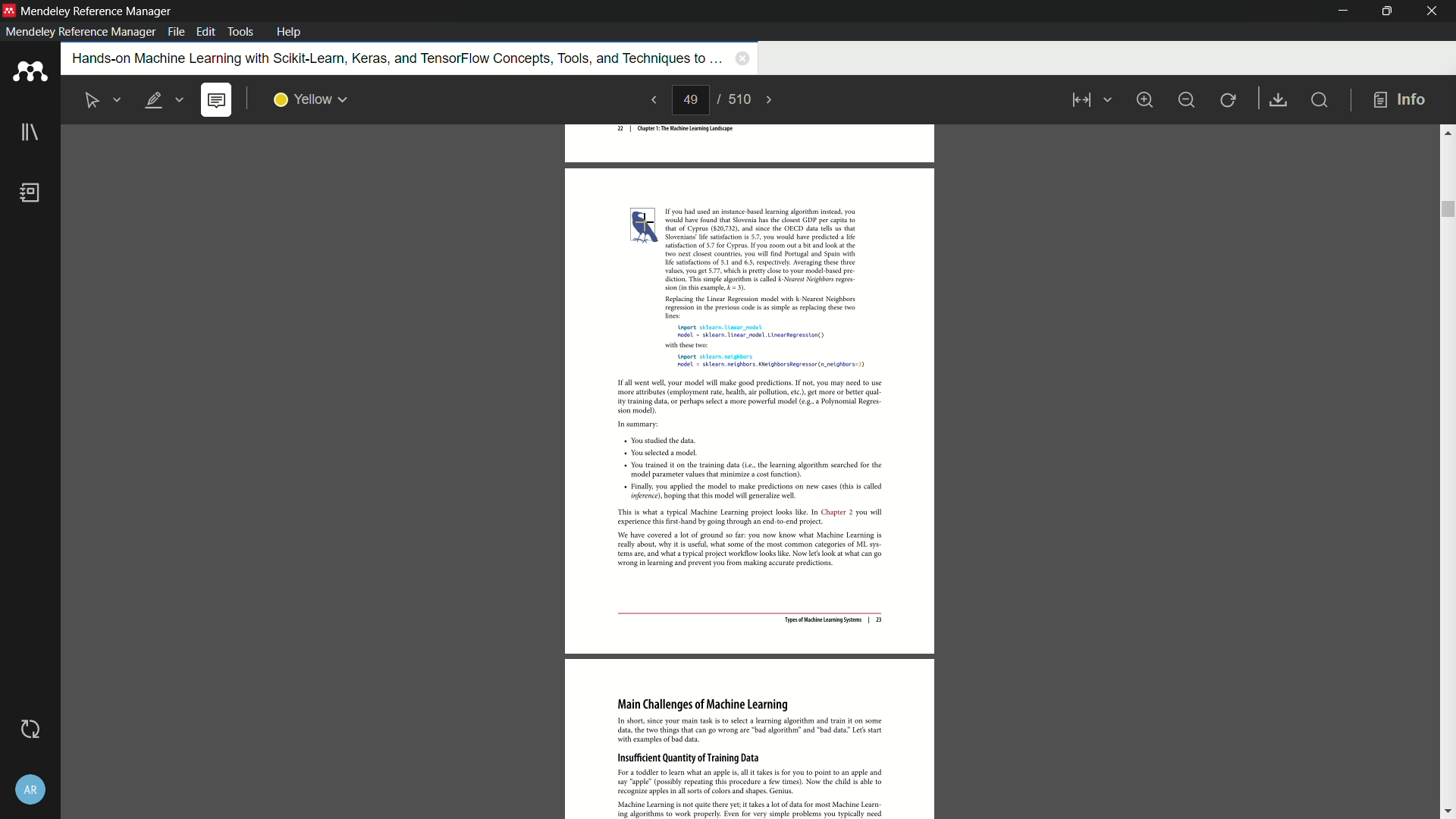  Describe the element at coordinates (777, 99) in the screenshot. I see `next page` at that location.